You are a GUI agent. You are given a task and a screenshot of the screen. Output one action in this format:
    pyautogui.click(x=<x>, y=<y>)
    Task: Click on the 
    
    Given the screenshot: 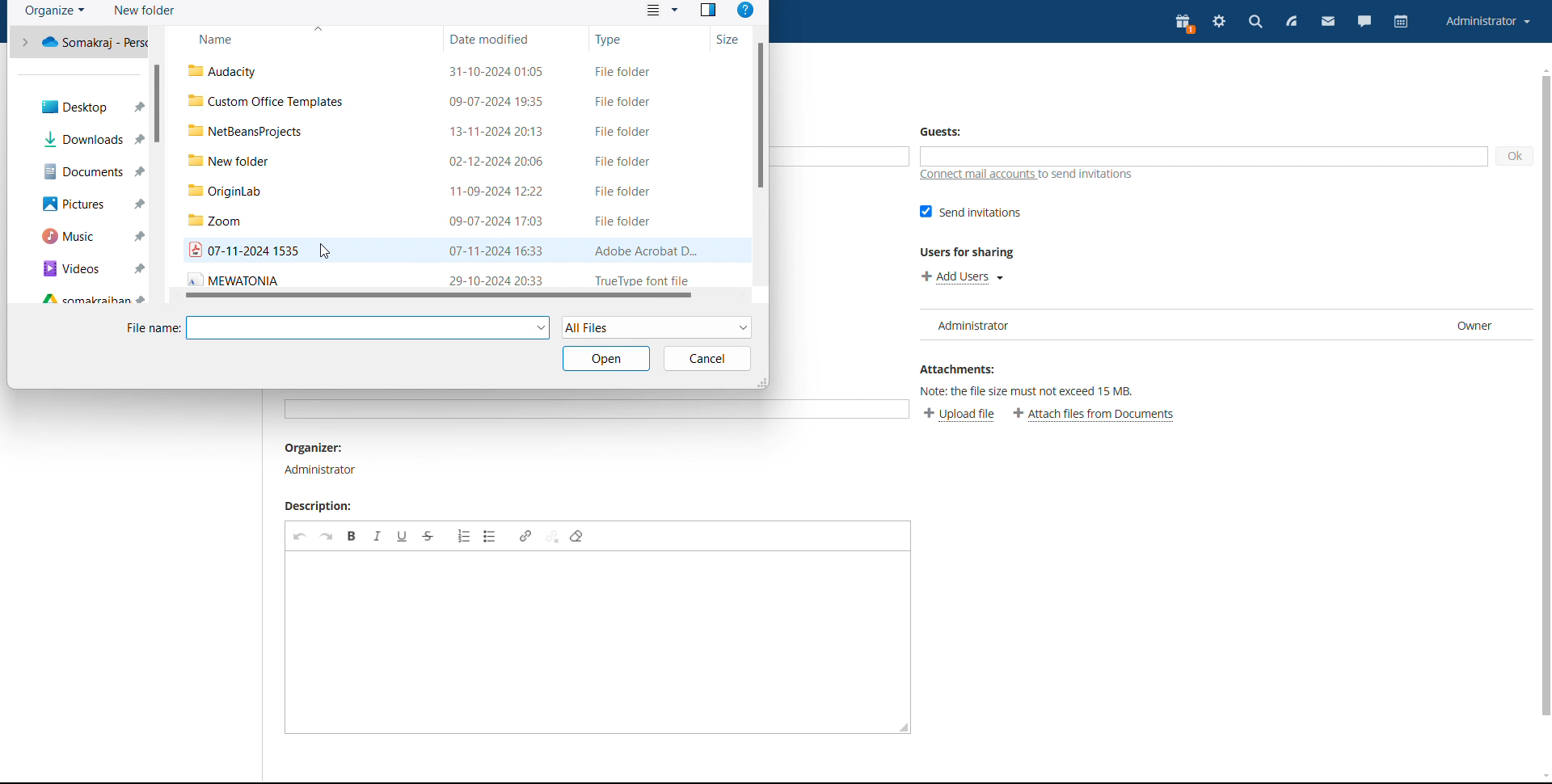 What is the action you would take?
    pyautogui.click(x=453, y=162)
    